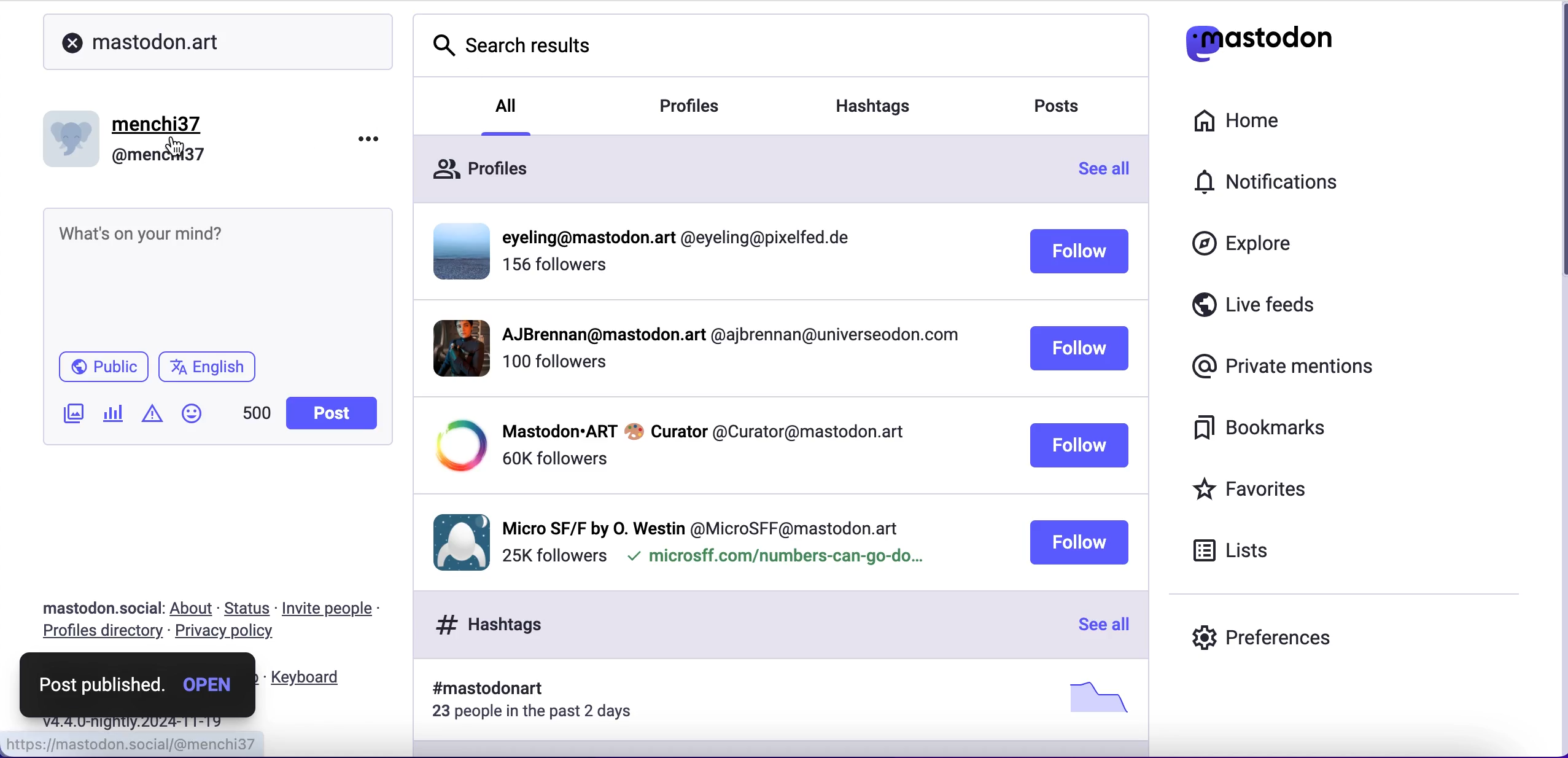 This screenshot has height=758, width=1568. What do you see at coordinates (211, 368) in the screenshot?
I see `english` at bounding box center [211, 368].